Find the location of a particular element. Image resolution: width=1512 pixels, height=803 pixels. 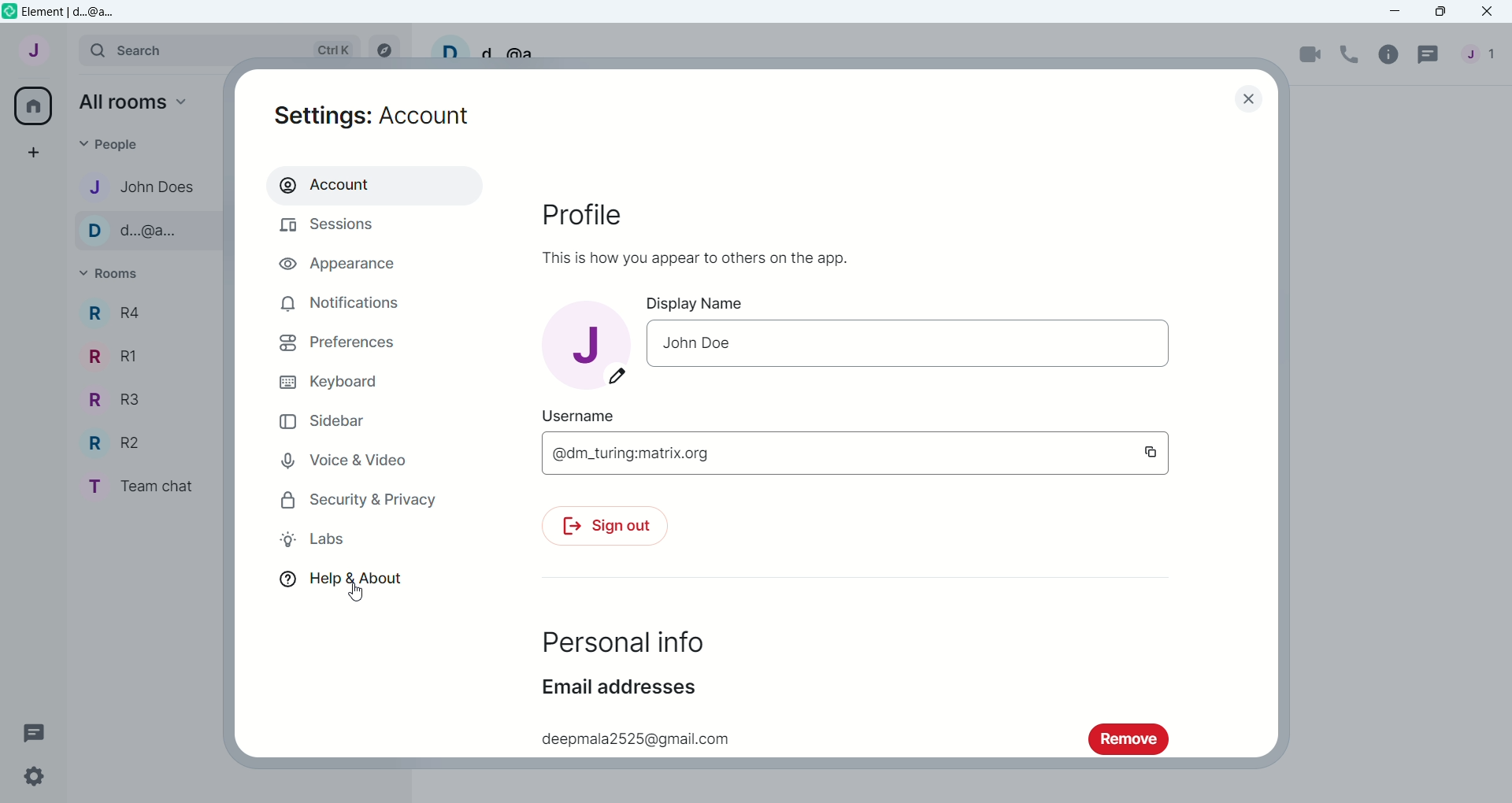

This is how you appear to others on the app. is located at coordinates (699, 255).